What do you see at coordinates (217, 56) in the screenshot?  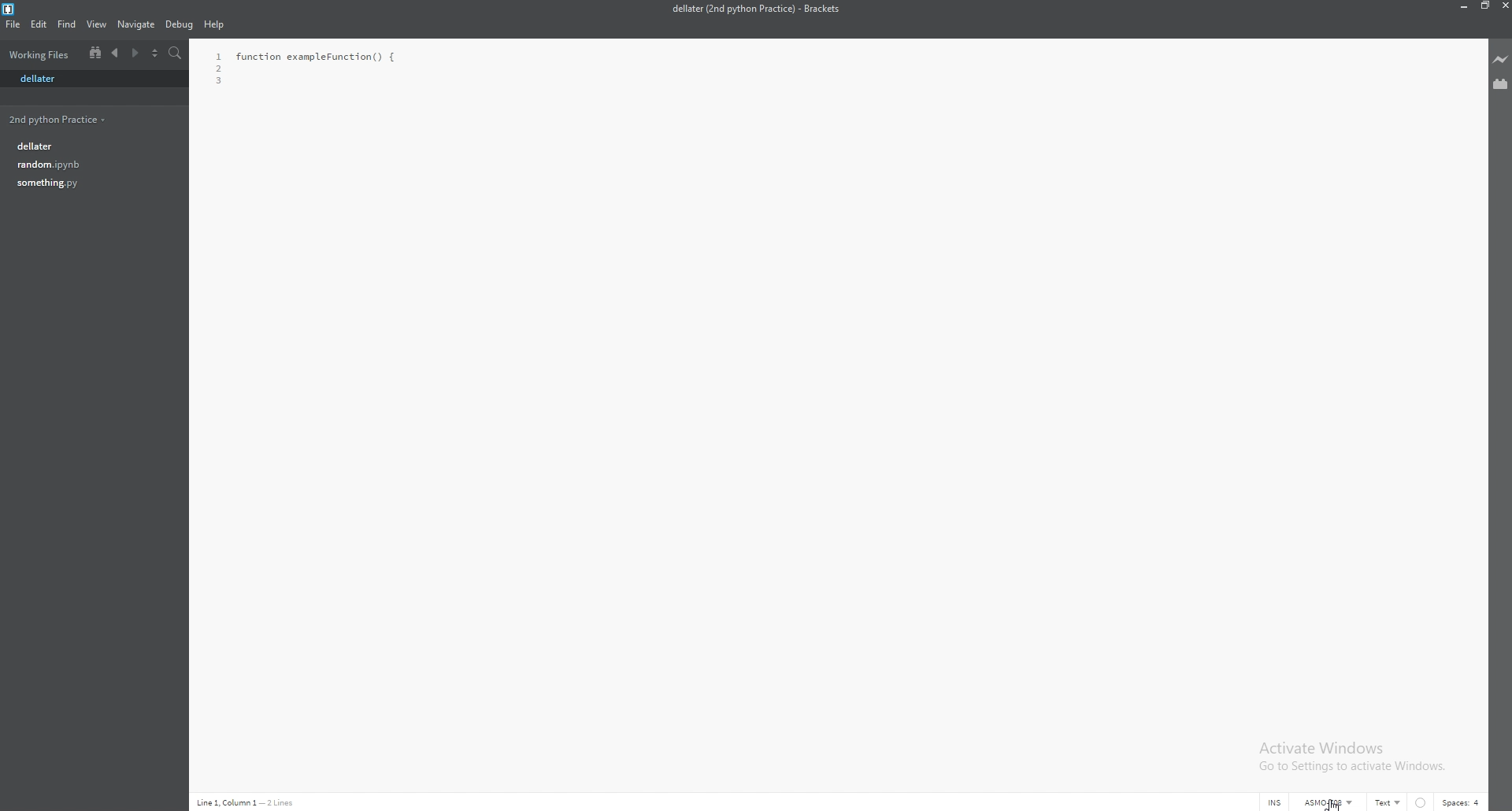 I see `1` at bounding box center [217, 56].